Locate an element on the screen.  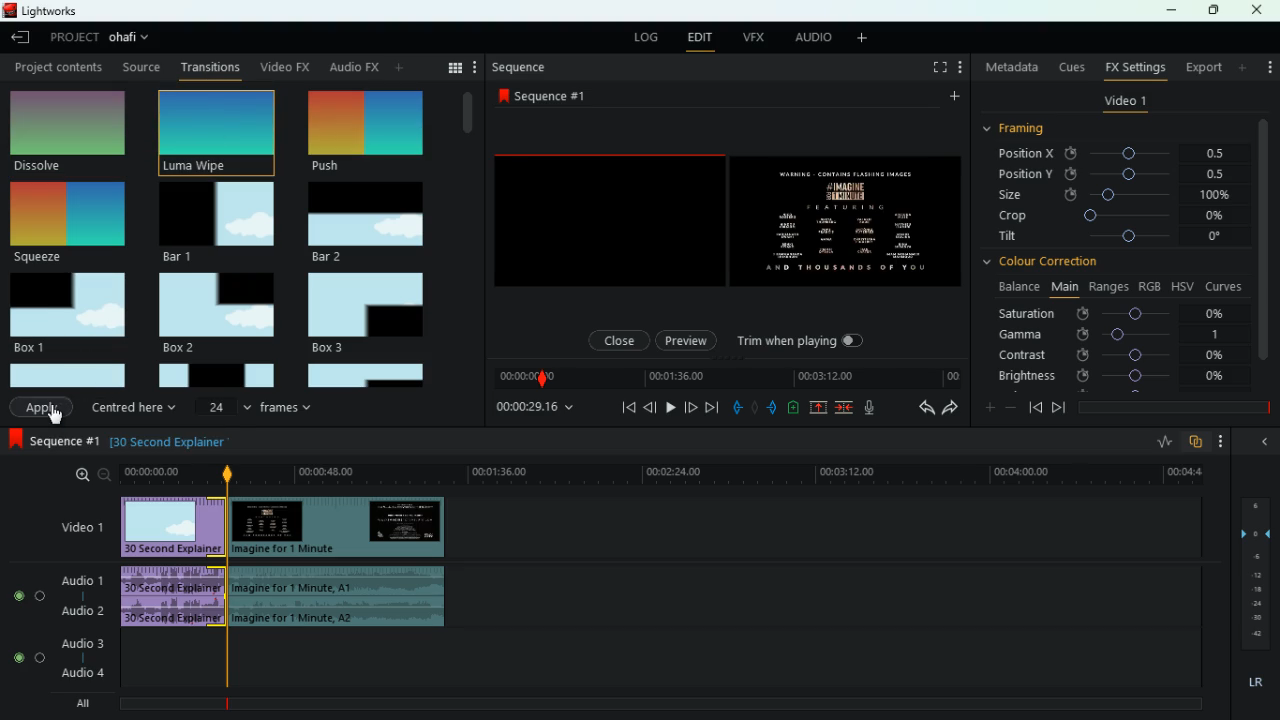
beggining is located at coordinates (622, 407).